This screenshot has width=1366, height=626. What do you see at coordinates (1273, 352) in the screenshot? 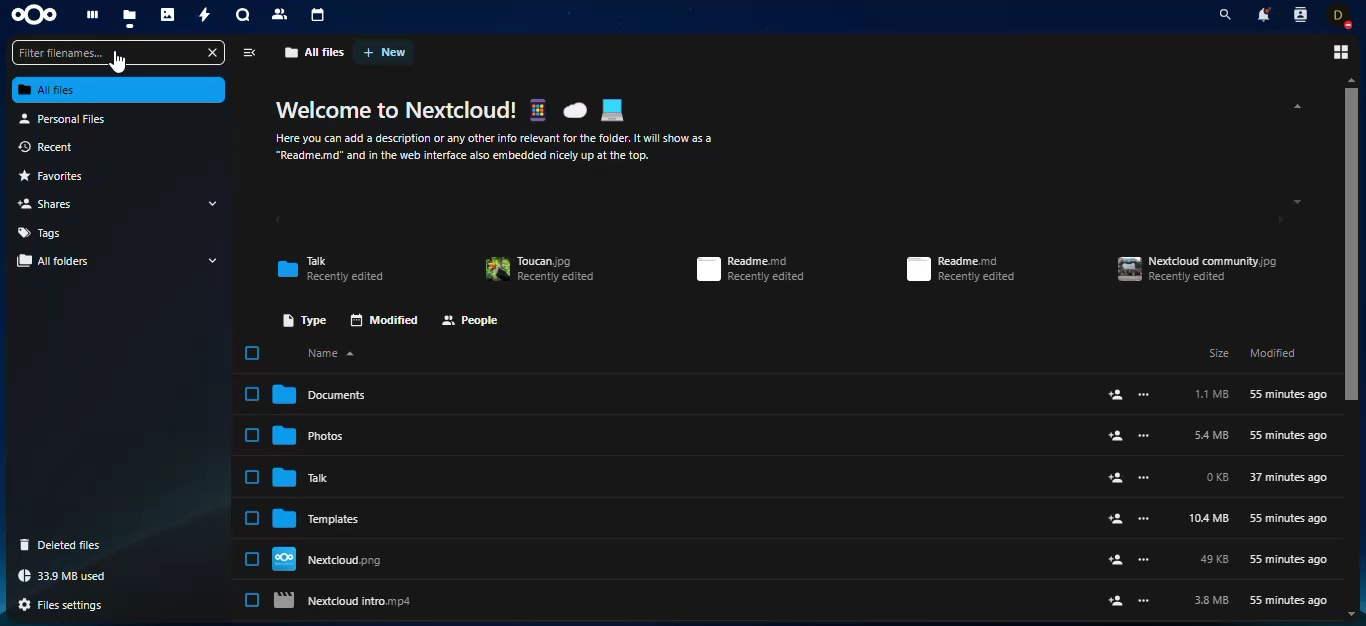
I see `Modified` at bounding box center [1273, 352].